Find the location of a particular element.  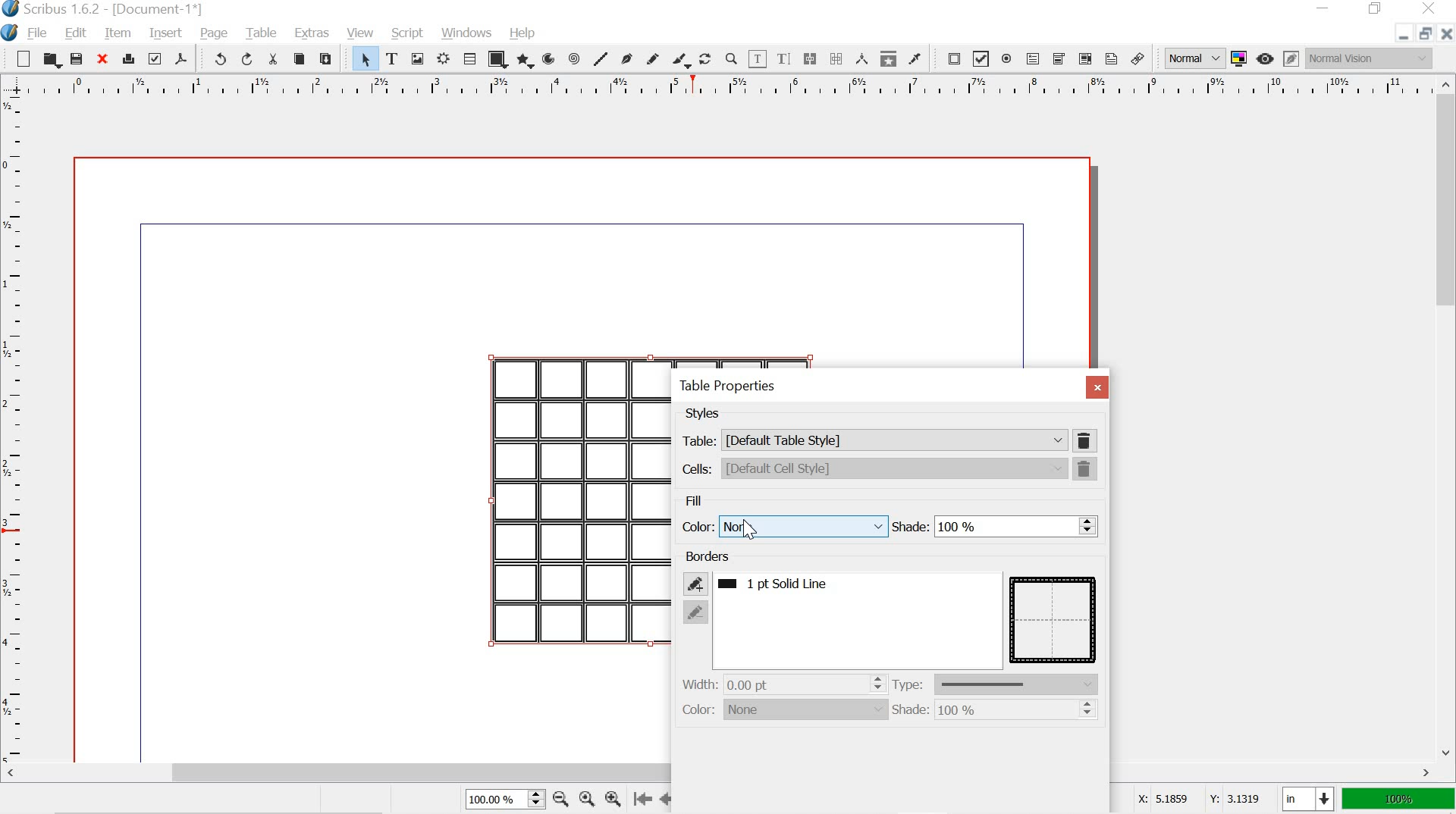

normal is located at coordinates (1189, 56).